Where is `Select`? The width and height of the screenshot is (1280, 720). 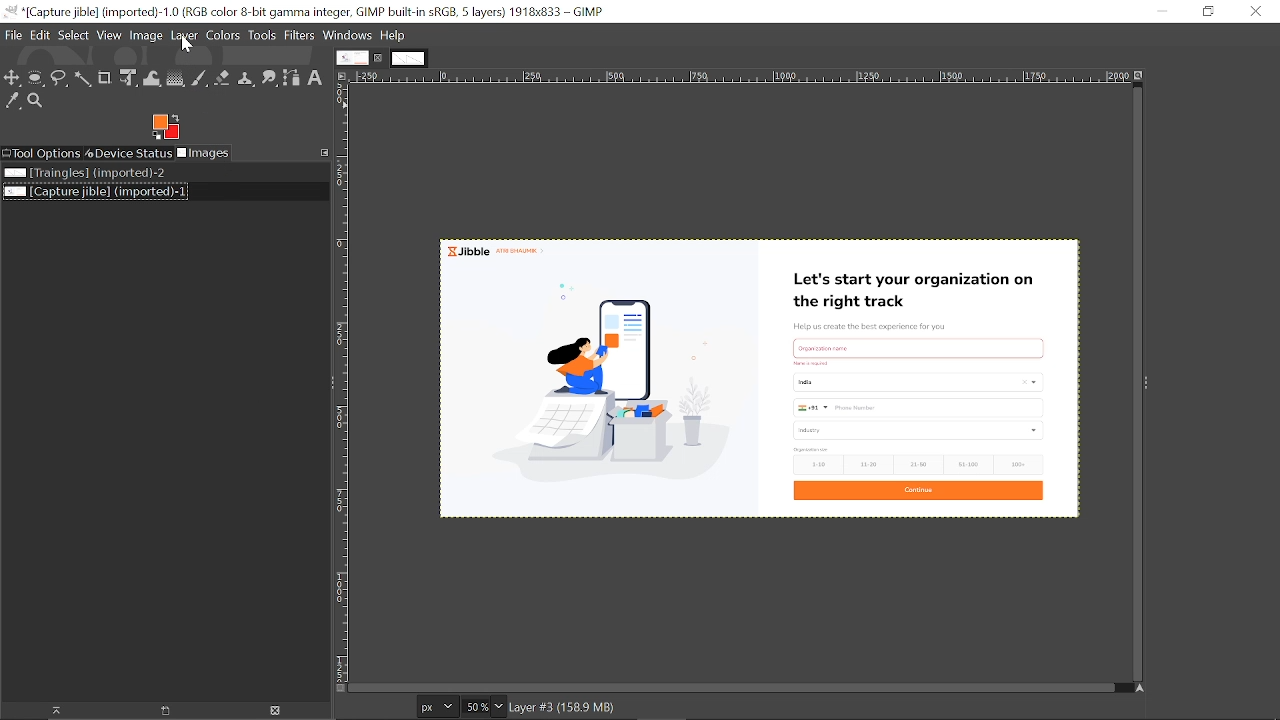
Select is located at coordinates (73, 36).